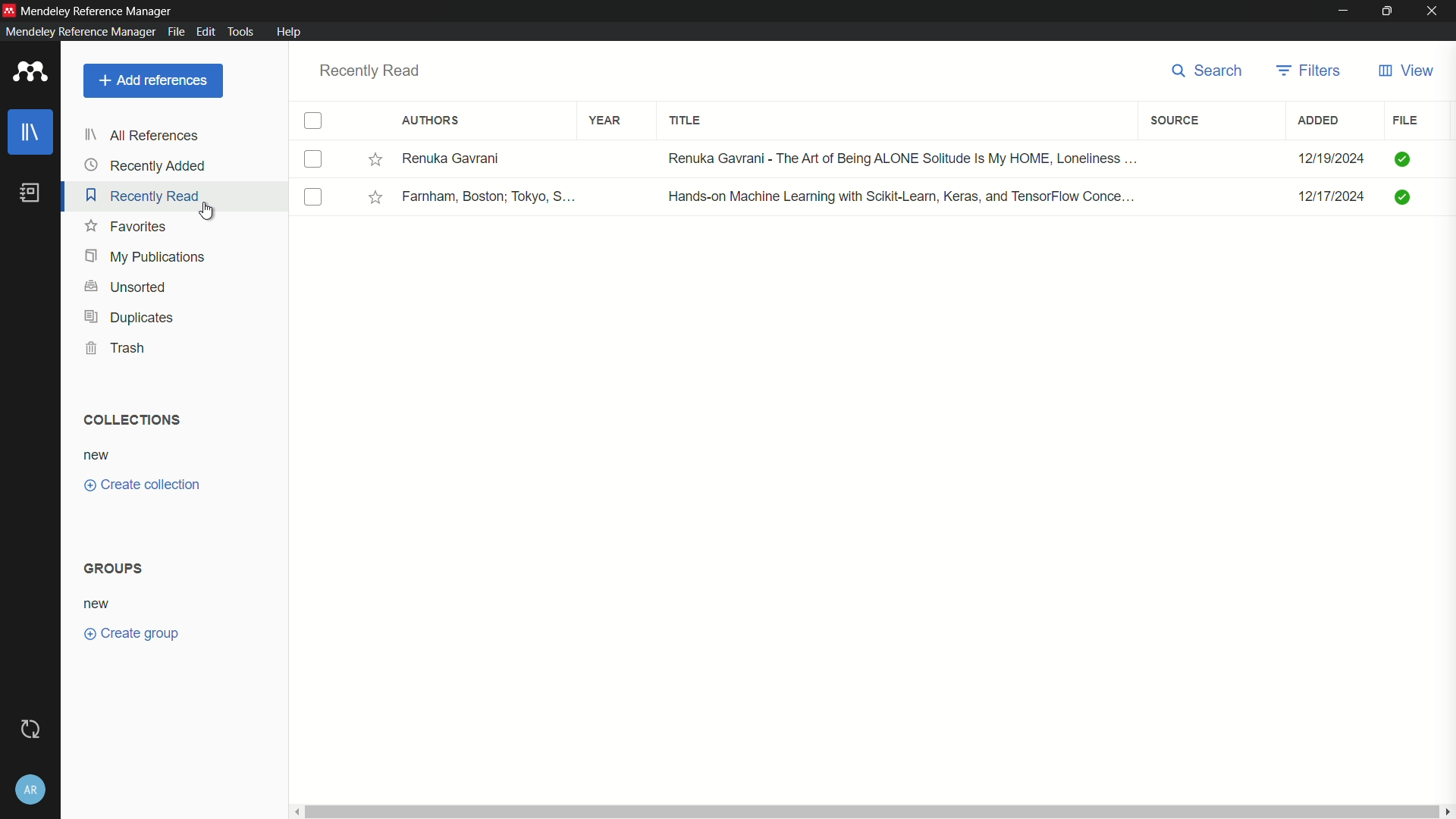  What do you see at coordinates (96, 604) in the screenshot?
I see `new` at bounding box center [96, 604].